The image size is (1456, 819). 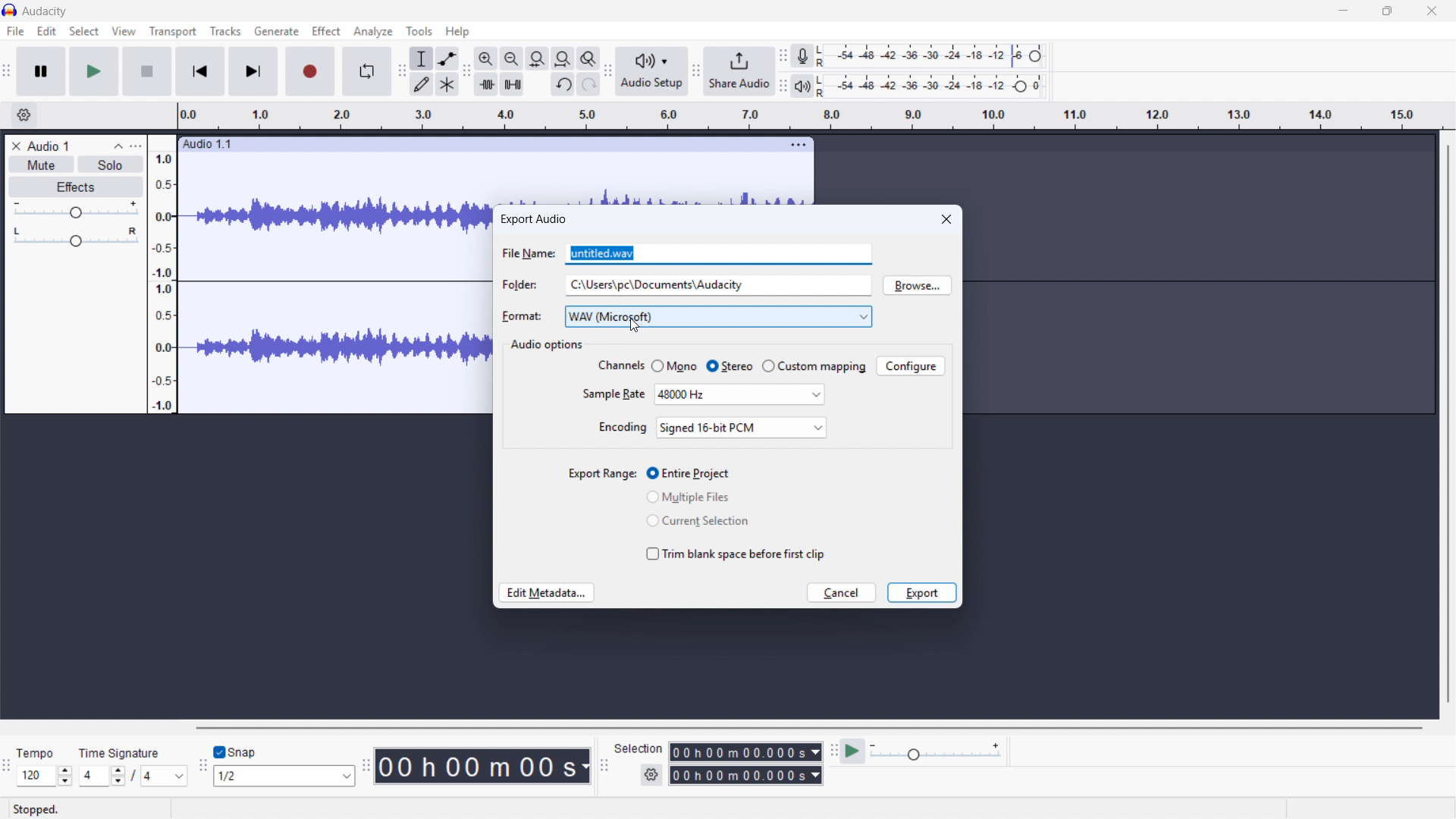 I want to click on Cursor , so click(x=635, y=326).